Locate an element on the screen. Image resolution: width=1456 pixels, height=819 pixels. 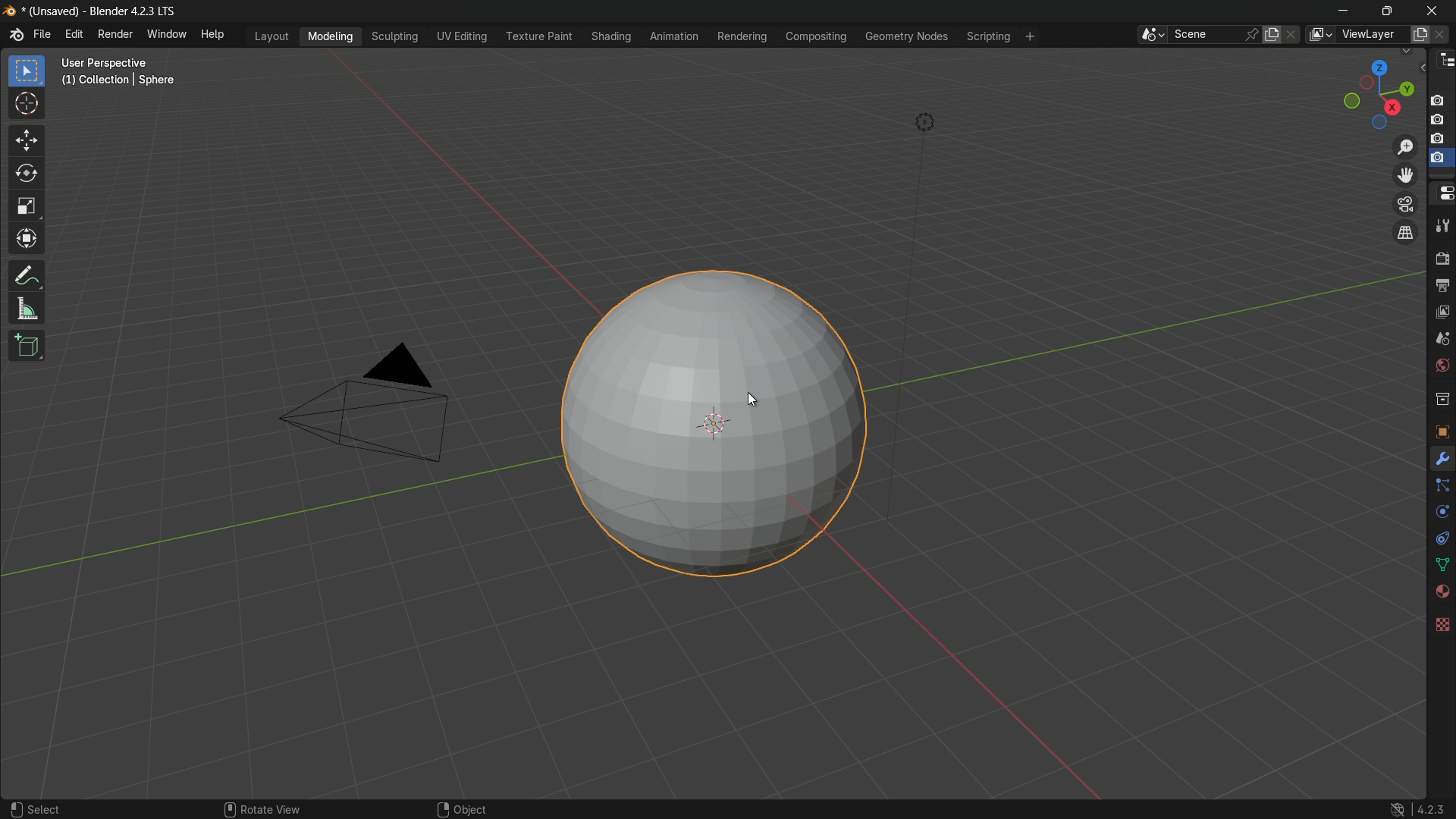
cursor is located at coordinates (759, 396).